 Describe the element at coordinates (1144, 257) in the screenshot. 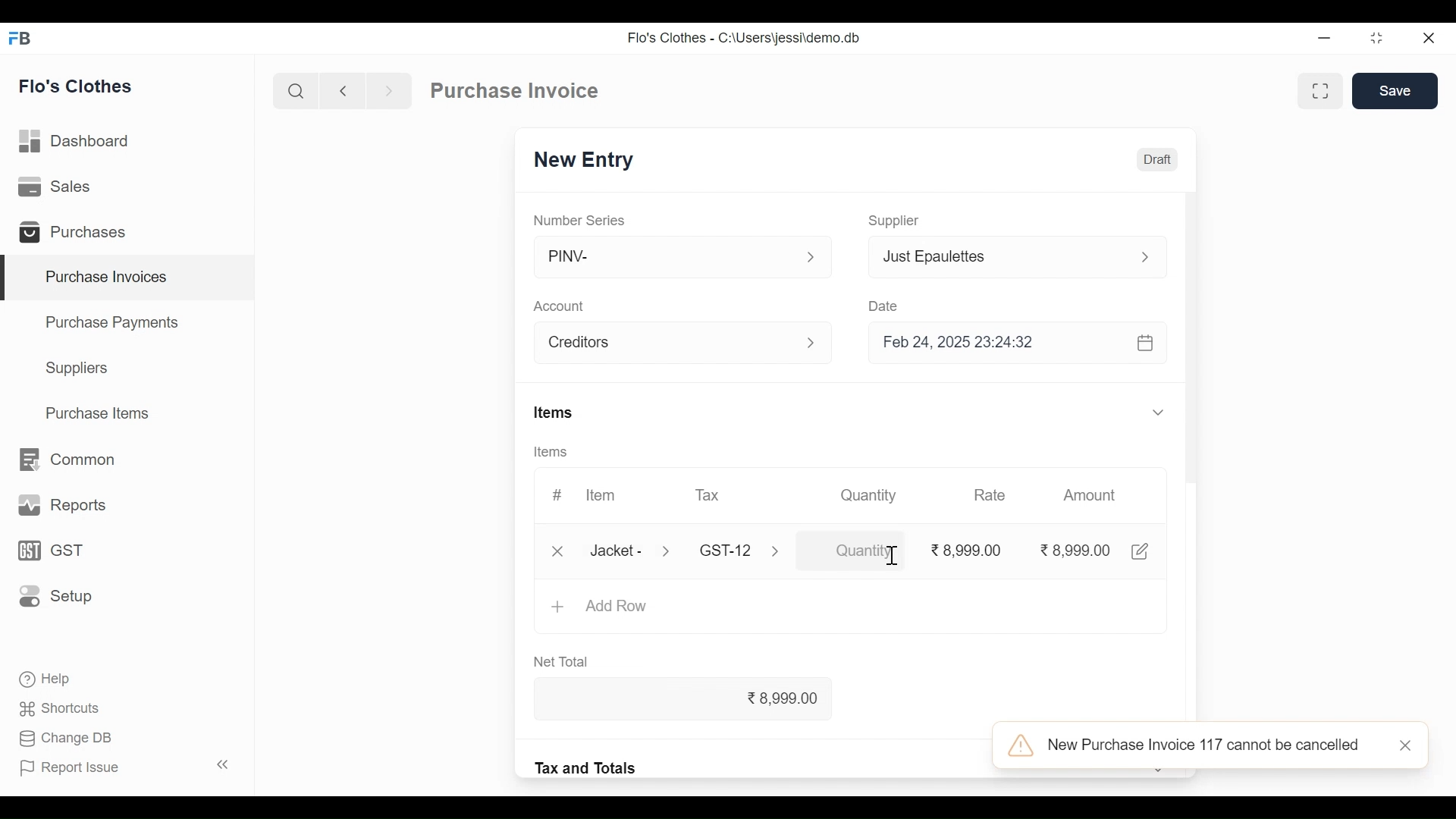

I see `Expand` at that location.